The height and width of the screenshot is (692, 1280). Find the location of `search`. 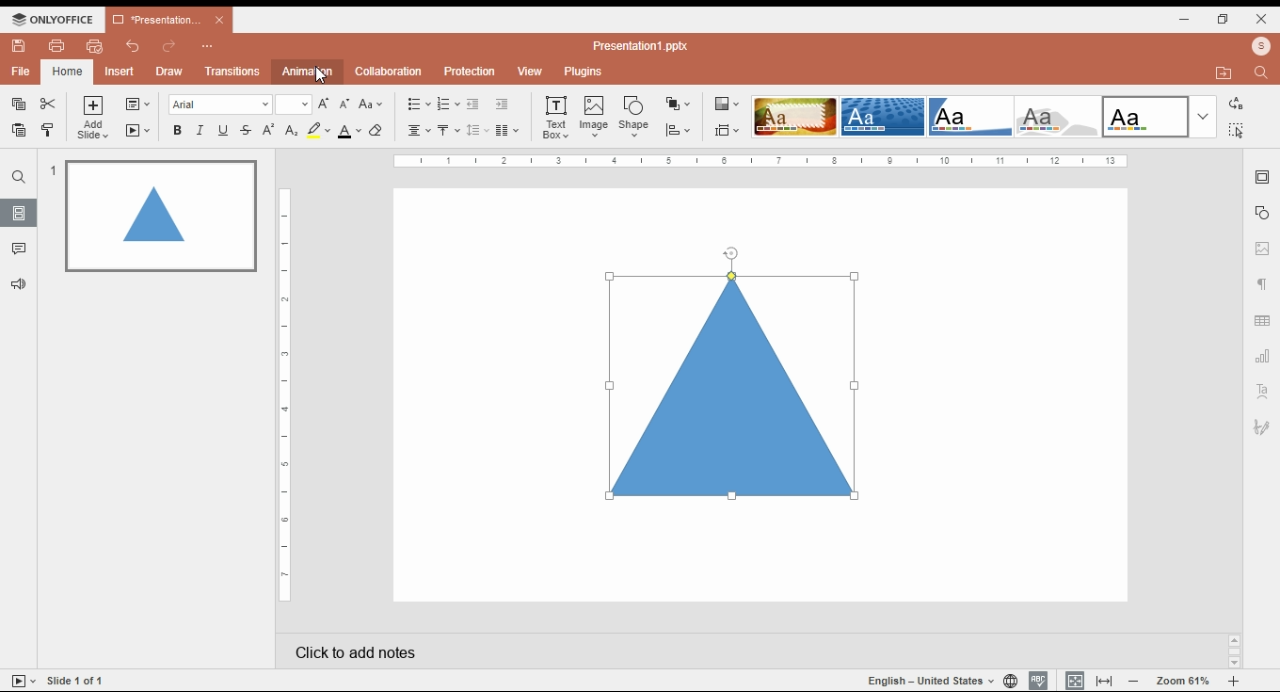

search is located at coordinates (21, 176).